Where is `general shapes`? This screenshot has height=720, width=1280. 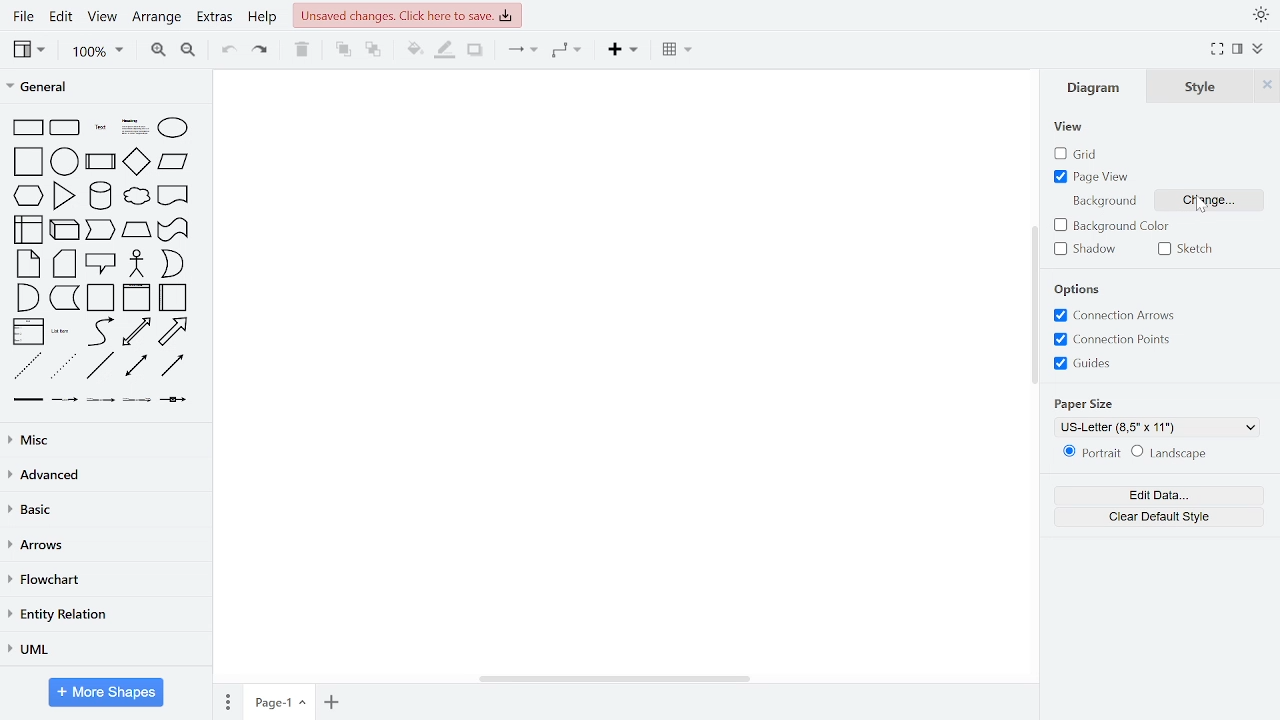 general shapes is located at coordinates (25, 368).